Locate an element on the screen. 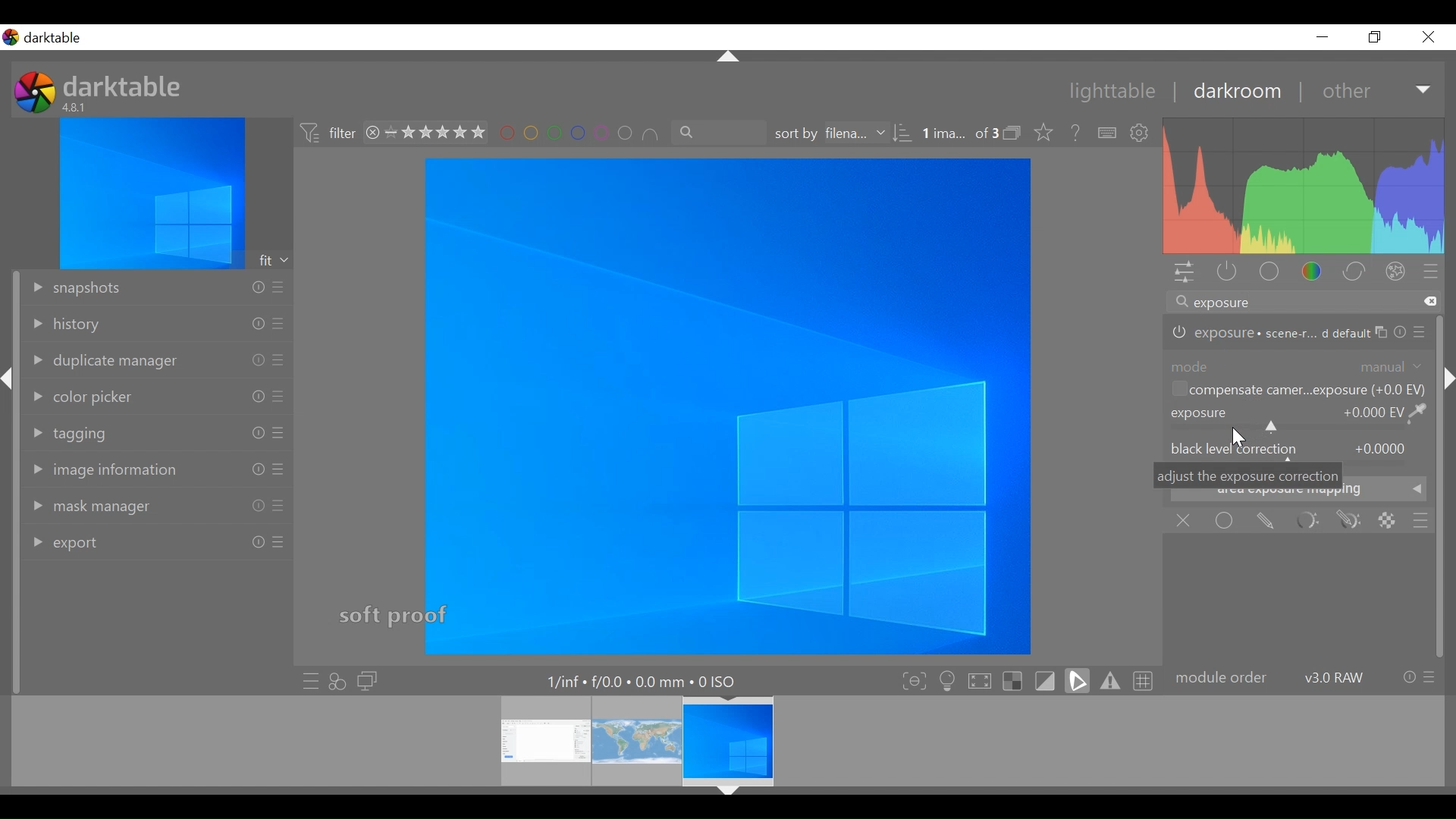 The height and width of the screenshot is (819, 1456). toggle clipping indication is located at coordinates (1078, 679).